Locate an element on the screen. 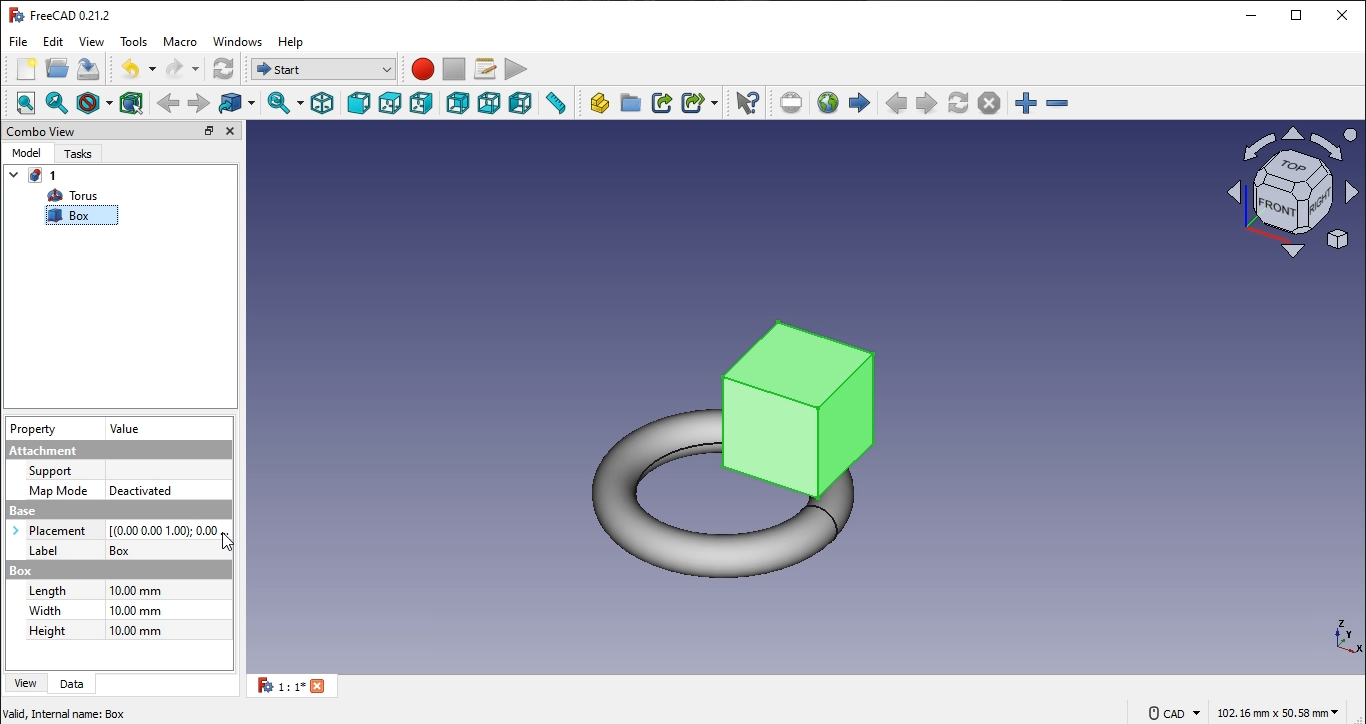  macros is located at coordinates (483, 70).